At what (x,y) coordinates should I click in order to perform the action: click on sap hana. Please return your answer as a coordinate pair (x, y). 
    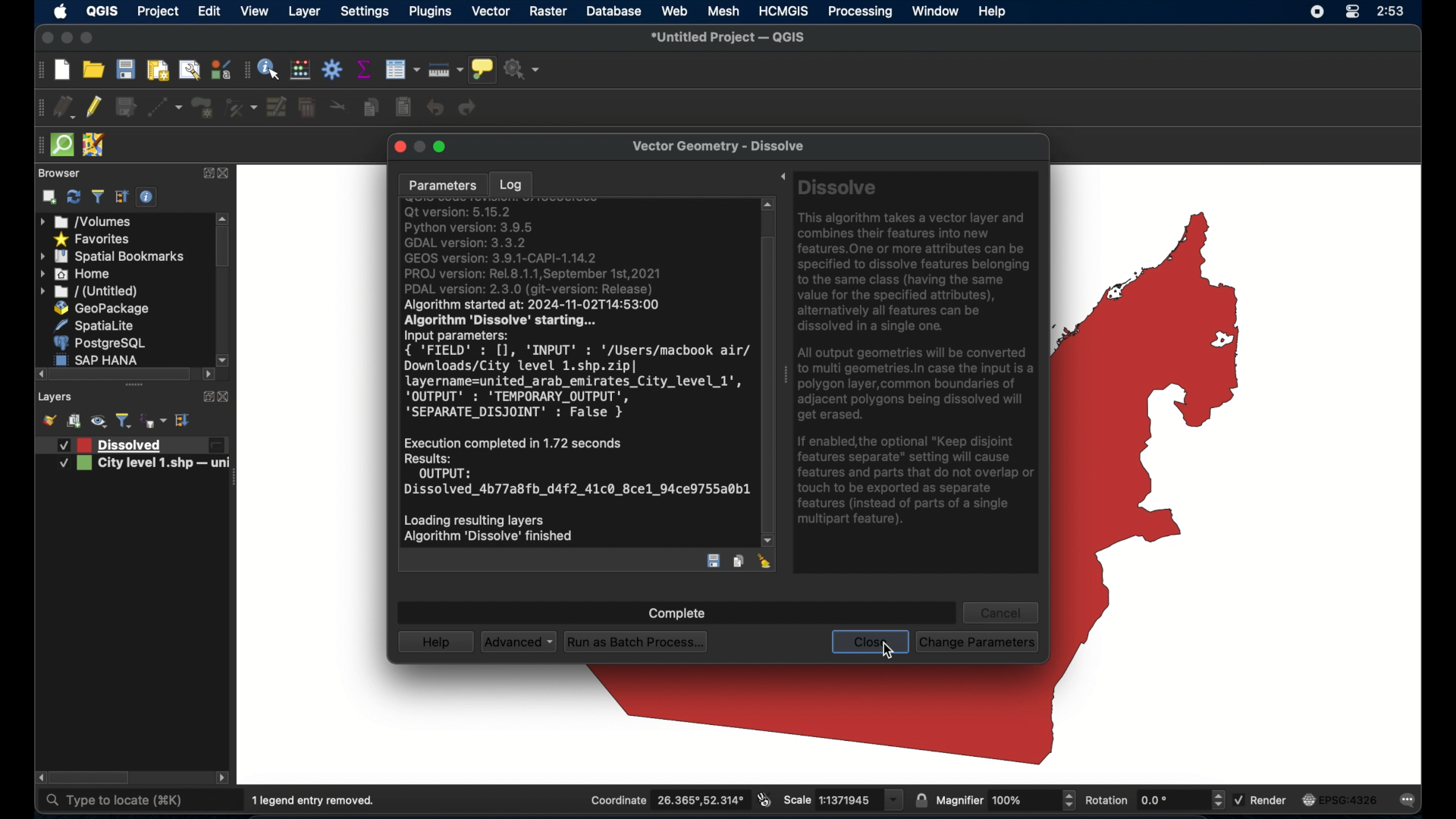
    Looking at the image, I should click on (100, 359).